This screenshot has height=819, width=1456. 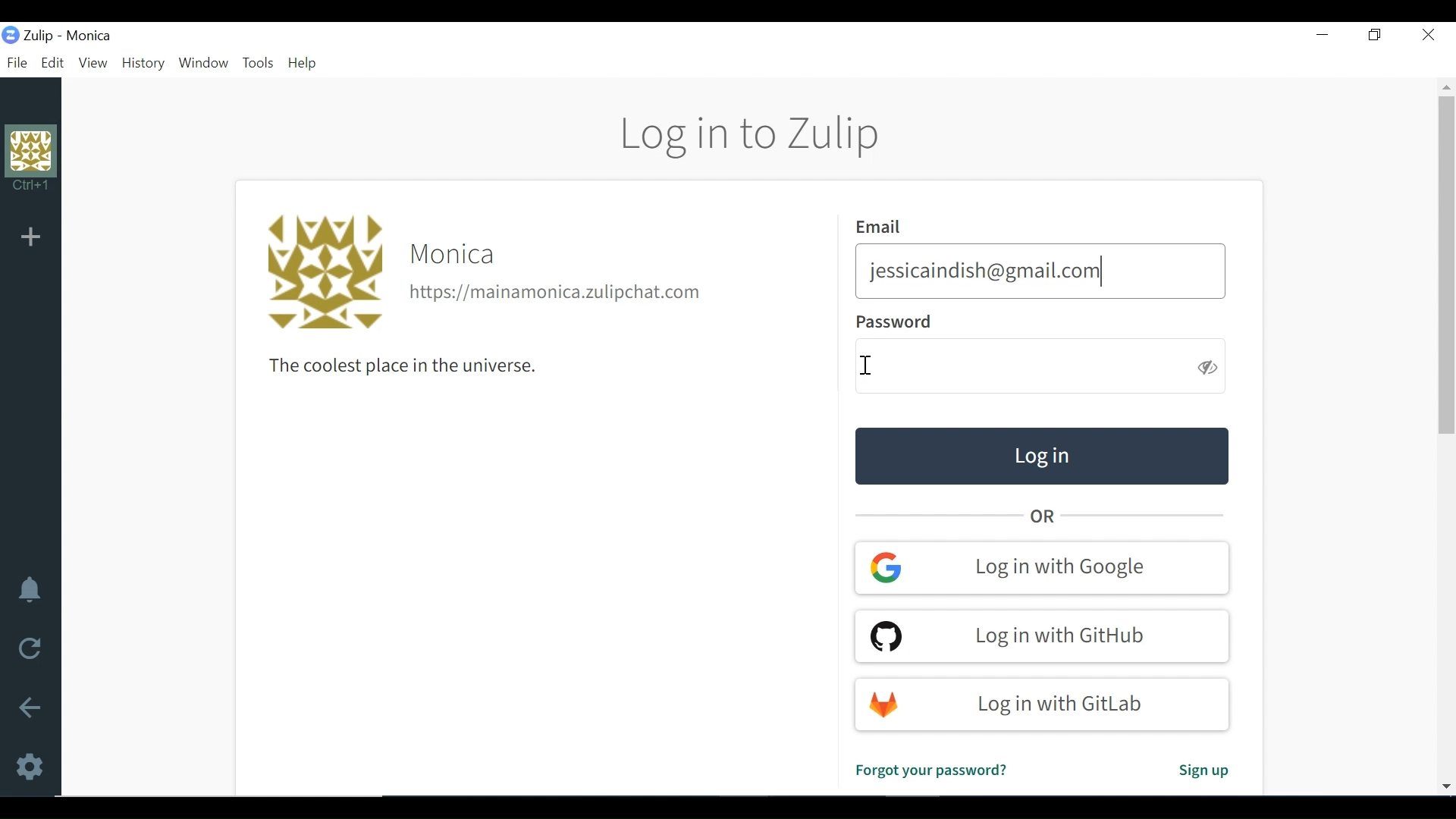 What do you see at coordinates (882, 227) in the screenshot?
I see `Email` at bounding box center [882, 227].